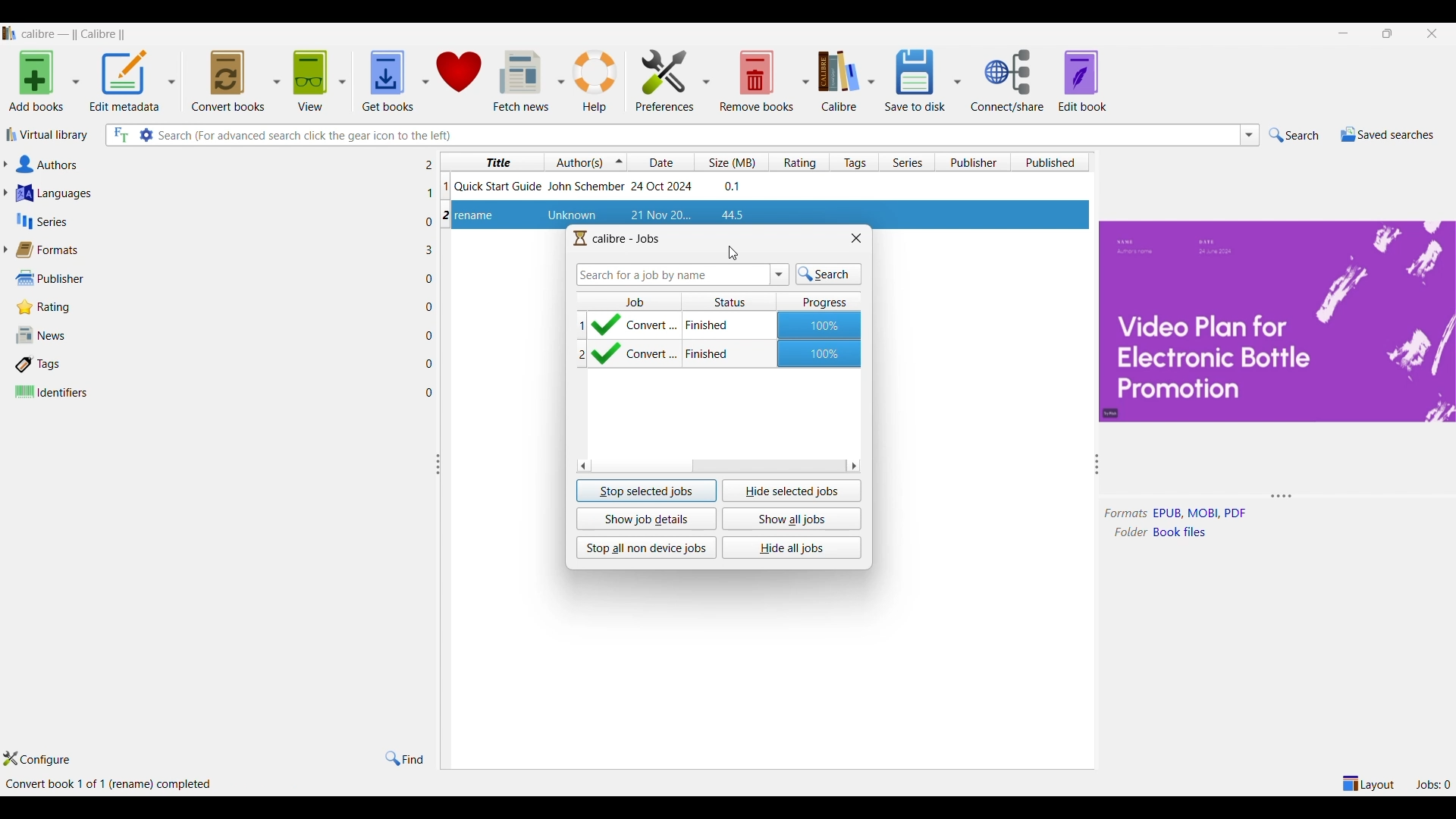  What do you see at coordinates (215, 221) in the screenshot?
I see `Series` at bounding box center [215, 221].